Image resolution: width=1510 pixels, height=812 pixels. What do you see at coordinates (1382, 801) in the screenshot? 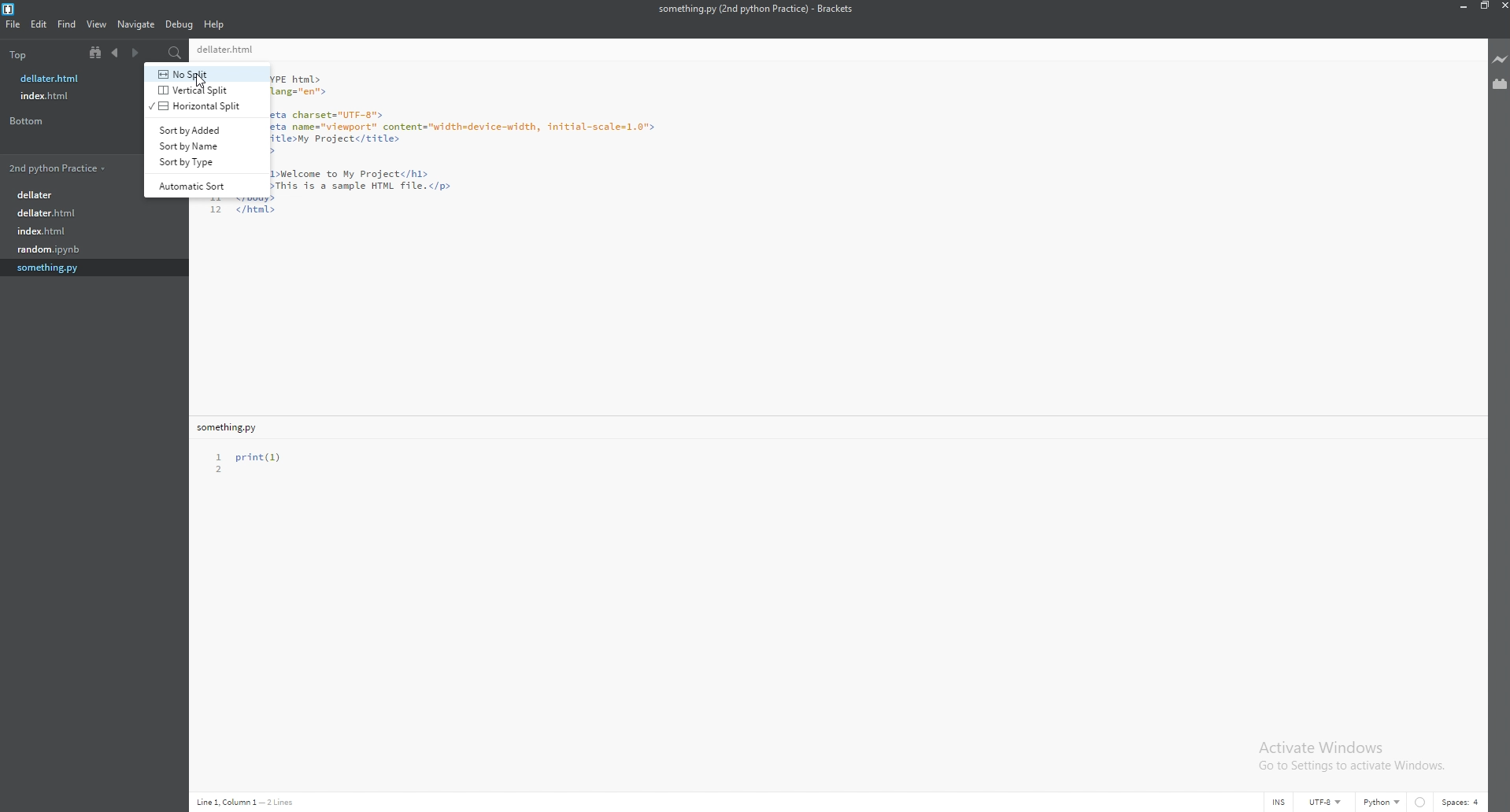
I see `language` at bounding box center [1382, 801].